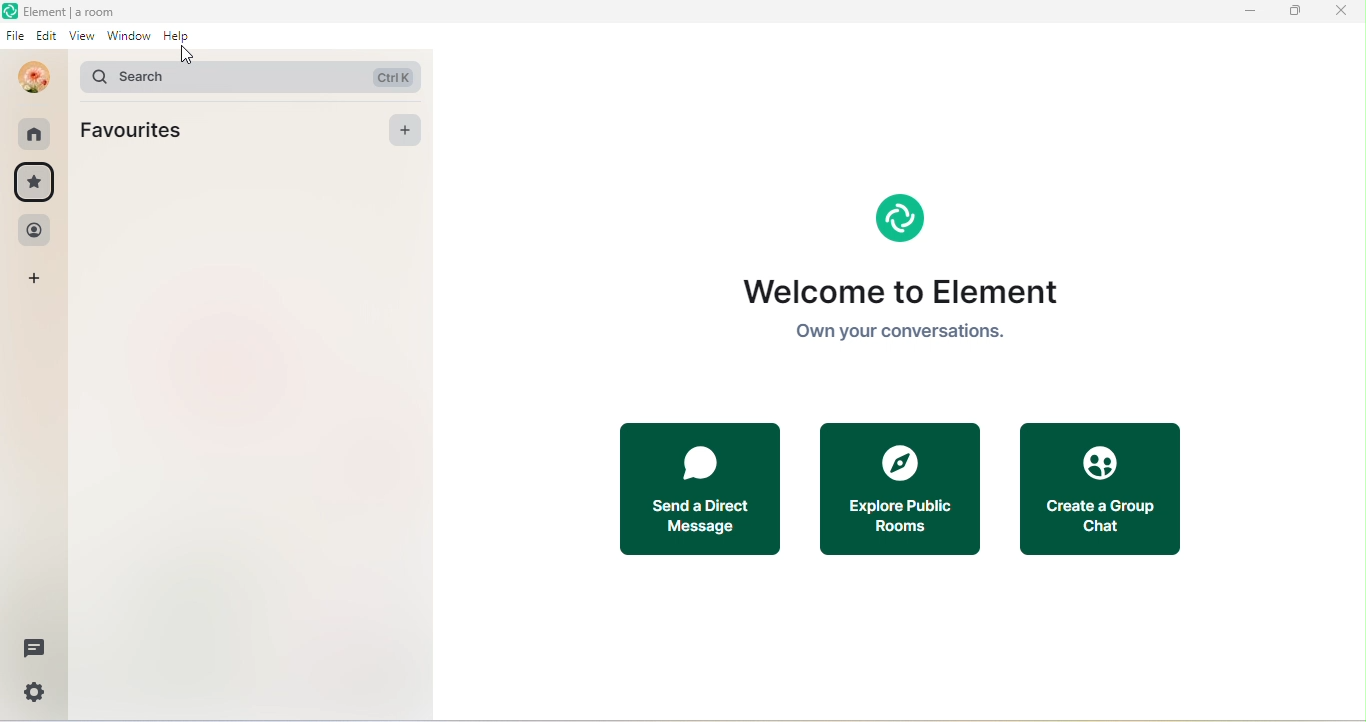 The height and width of the screenshot is (722, 1366). What do you see at coordinates (31, 76) in the screenshot?
I see `Profile Icon` at bounding box center [31, 76].